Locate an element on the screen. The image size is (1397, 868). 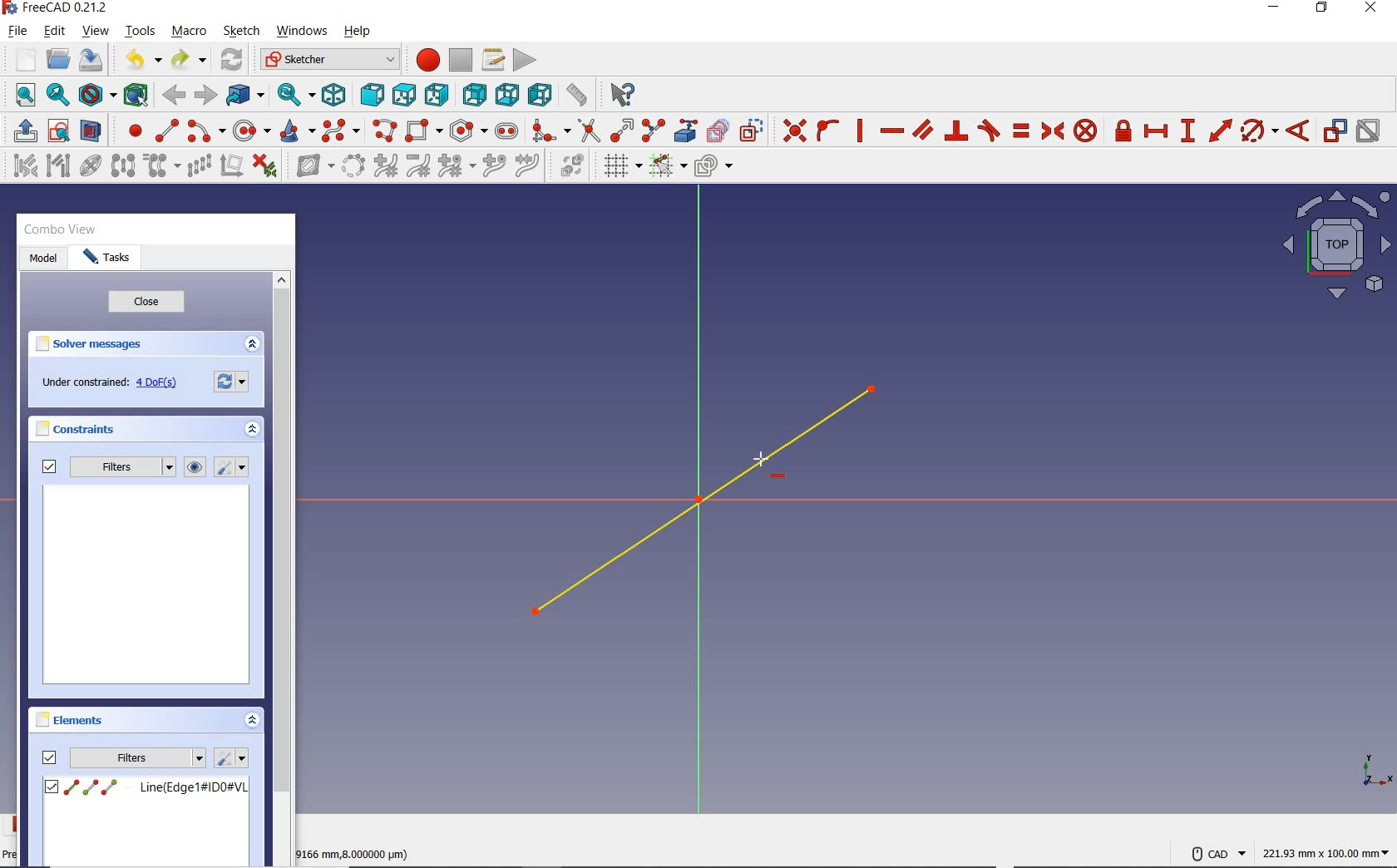
TOGGLE SNAP is located at coordinates (667, 167).